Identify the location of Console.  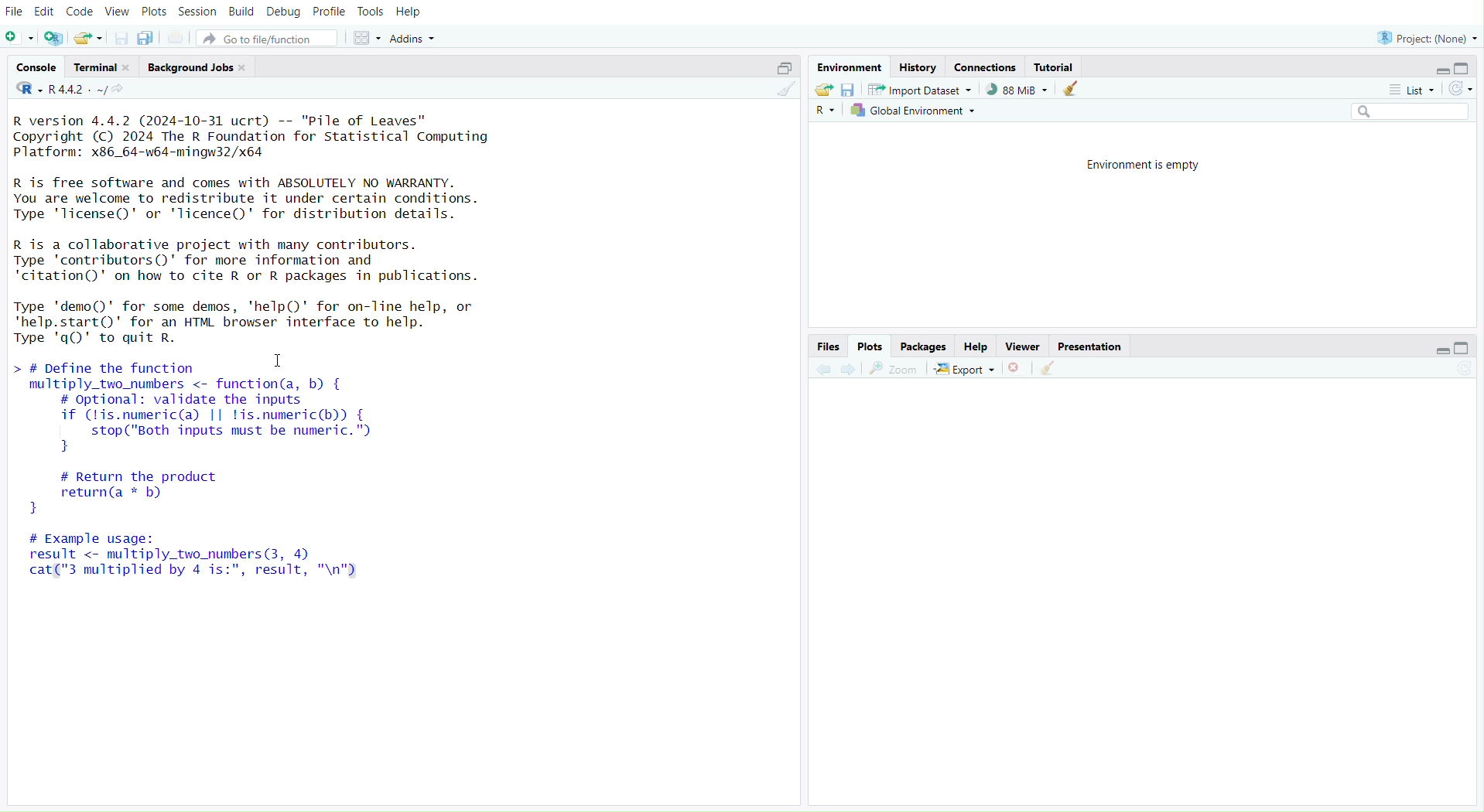
(36, 69).